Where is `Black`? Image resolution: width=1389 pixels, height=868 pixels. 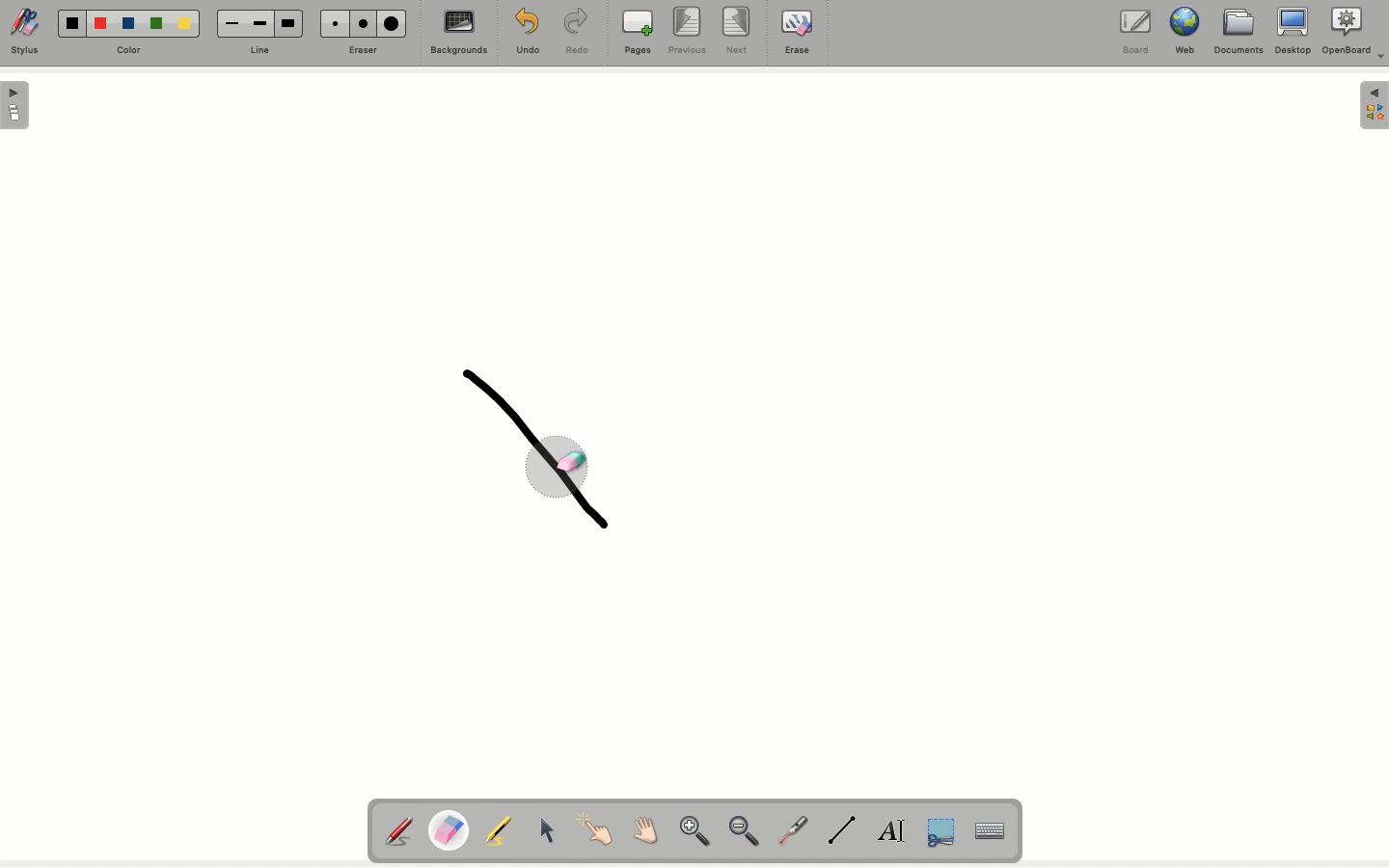
Black is located at coordinates (73, 22).